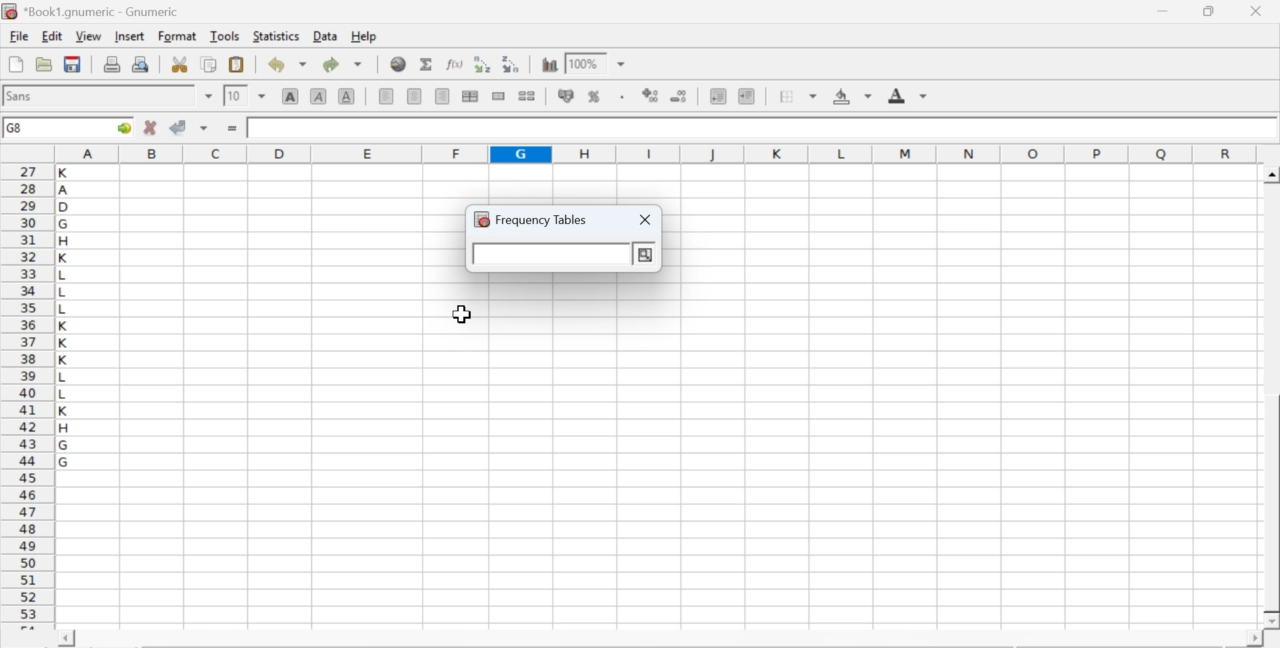  I want to click on Set the format of the selected cells to include a thousands separator, so click(620, 97).